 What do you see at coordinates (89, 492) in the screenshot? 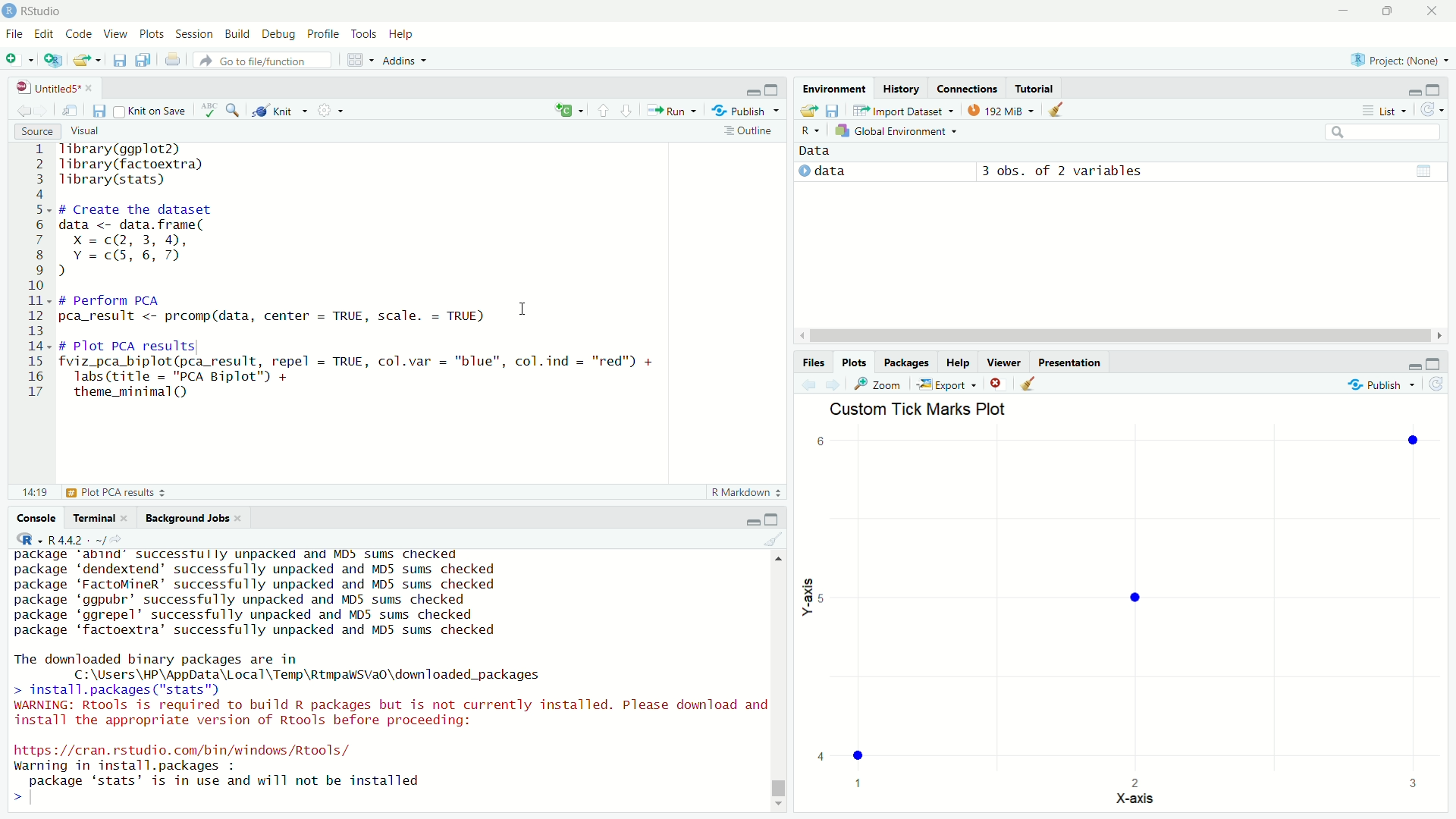
I see `plot PCA results` at bounding box center [89, 492].